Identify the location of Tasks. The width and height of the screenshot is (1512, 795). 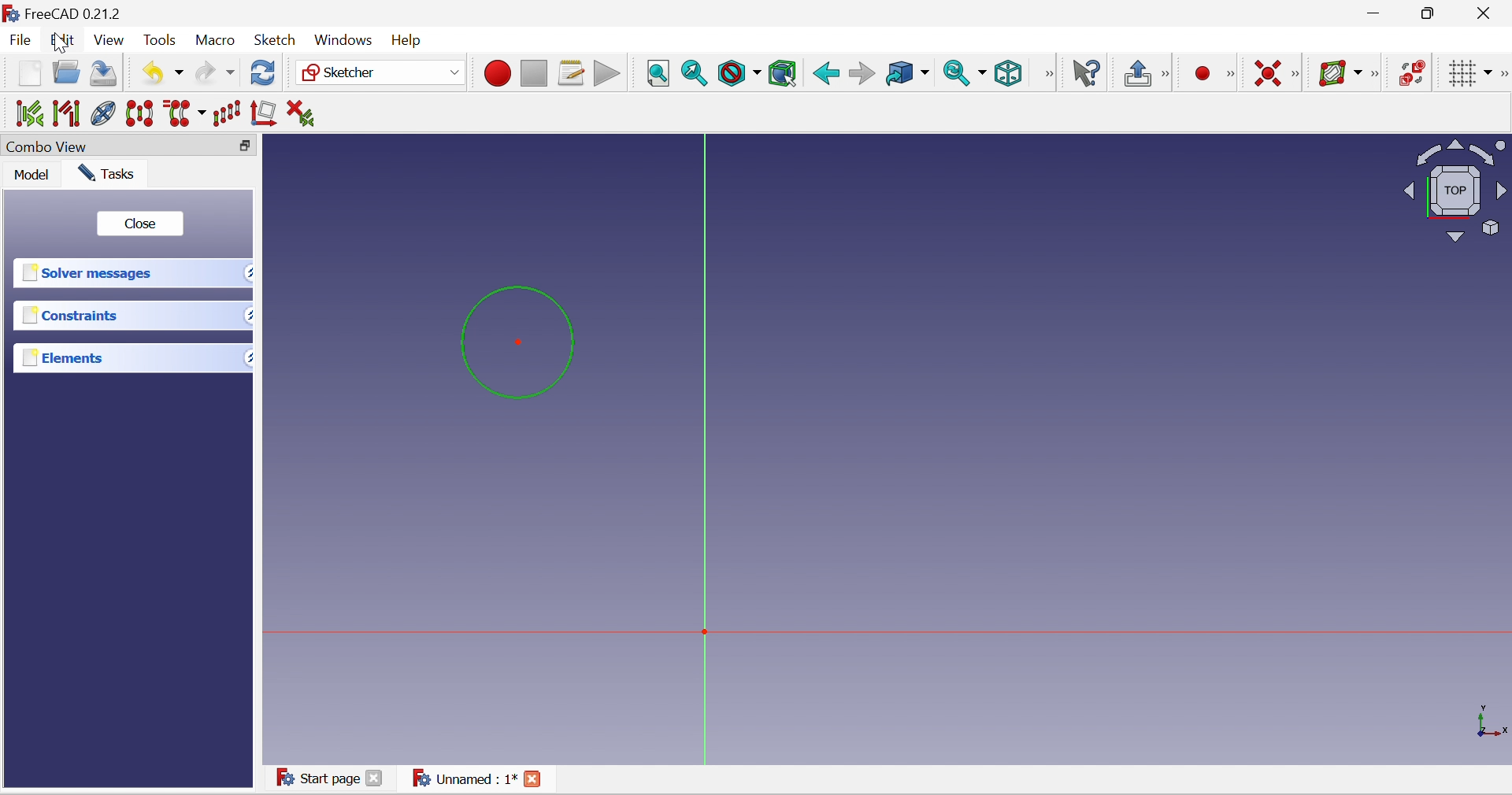
(107, 173).